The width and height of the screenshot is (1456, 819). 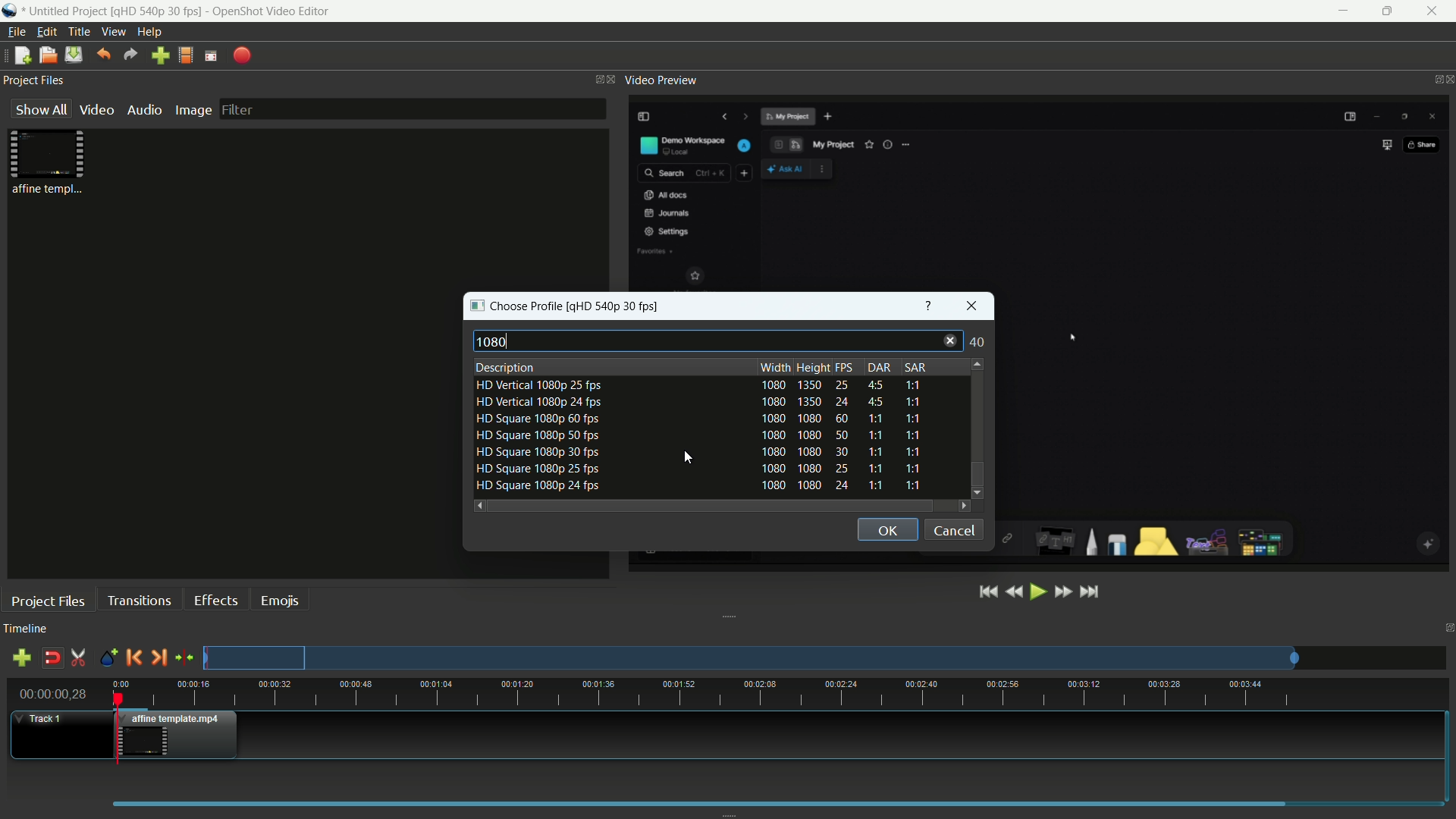 I want to click on app name, so click(x=271, y=11).